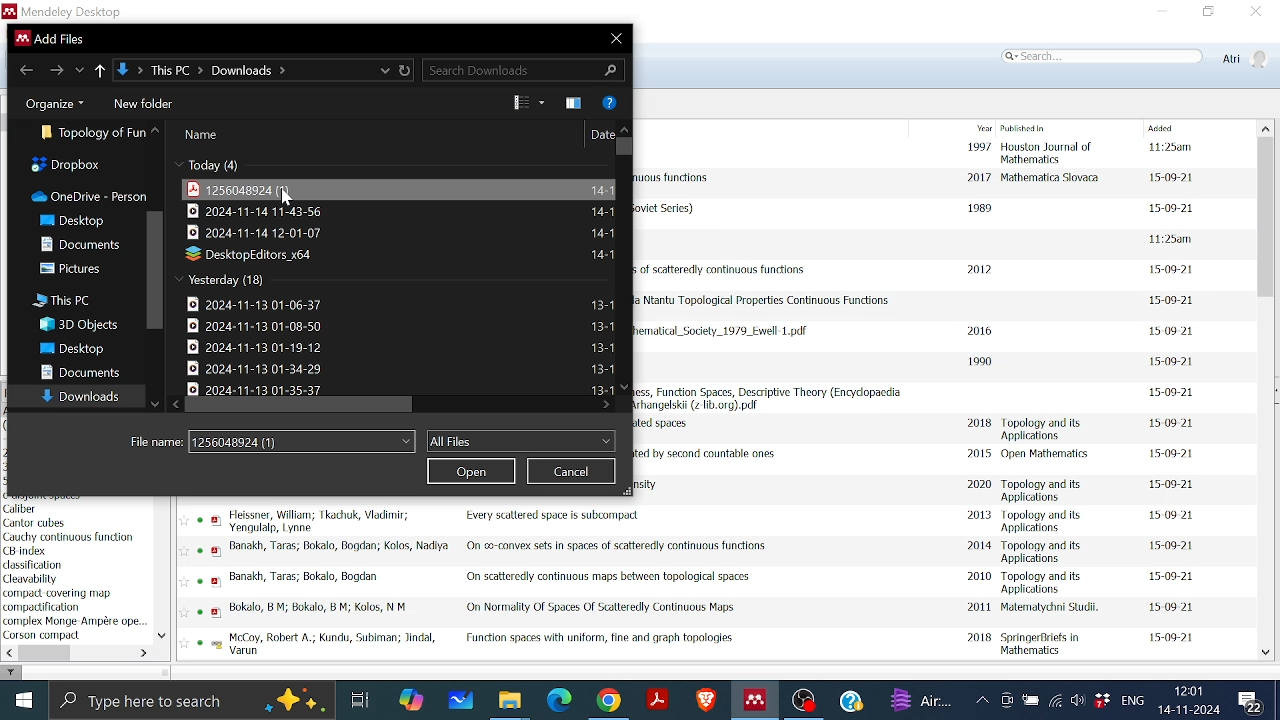 The image size is (1280, 720). What do you see at coordinates (83, 371) in the screenshot?
I see `Documents` at bounding box center [83, 371].